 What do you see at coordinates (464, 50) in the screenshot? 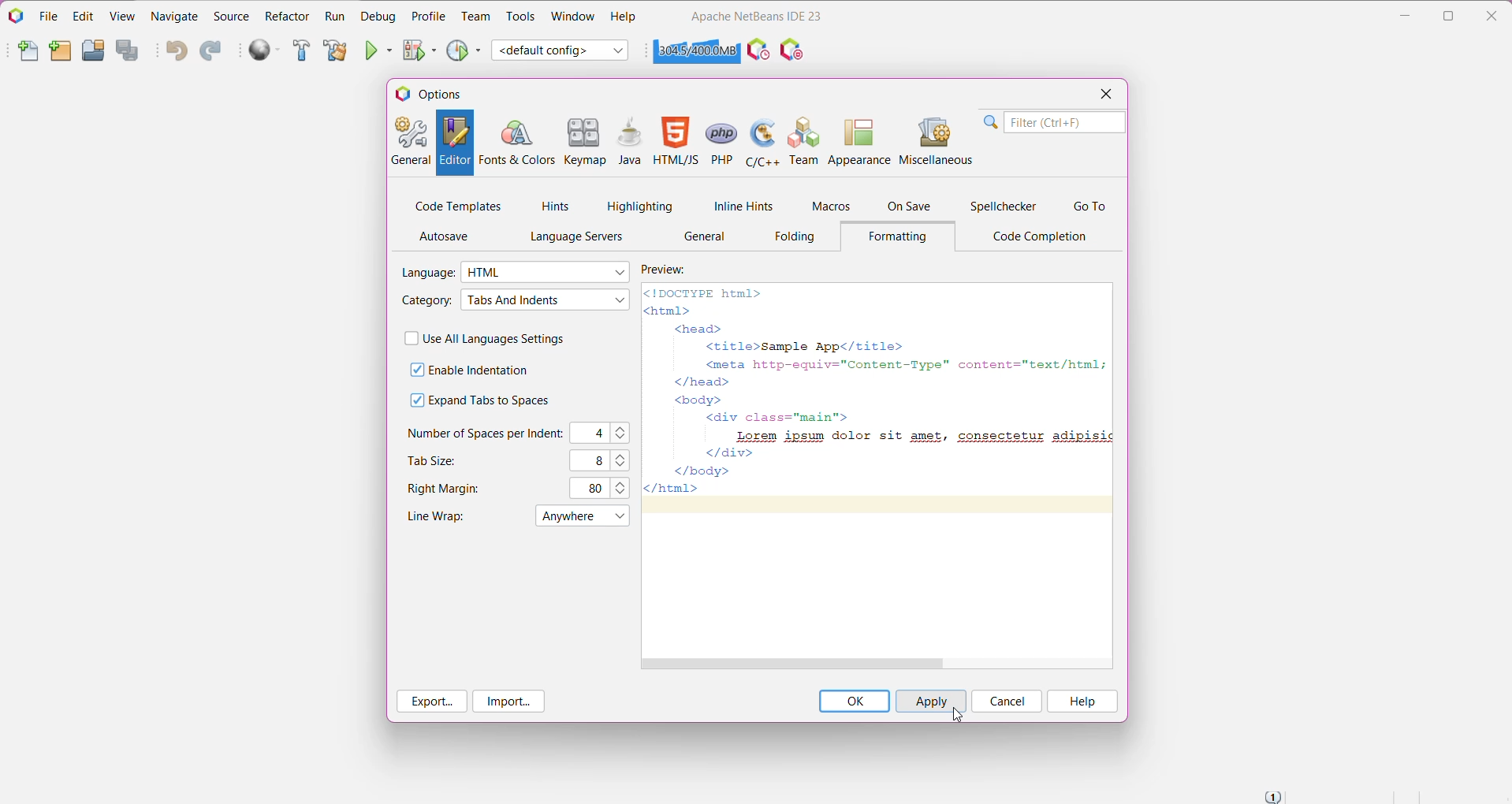
I see `Profile Project` at bounding box center [464, 50].